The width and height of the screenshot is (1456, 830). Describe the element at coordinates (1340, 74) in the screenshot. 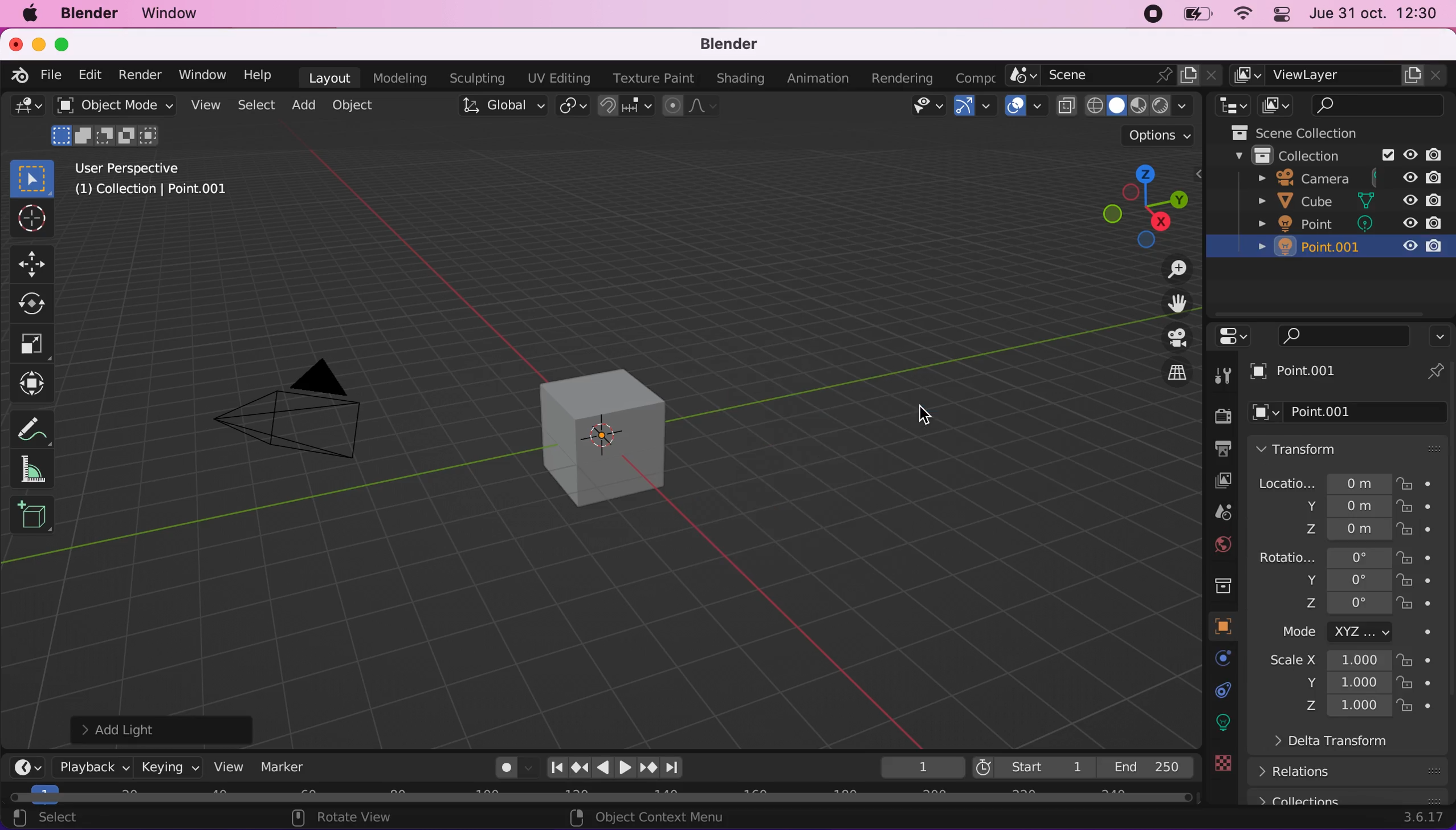

I see `view layer` at that location.